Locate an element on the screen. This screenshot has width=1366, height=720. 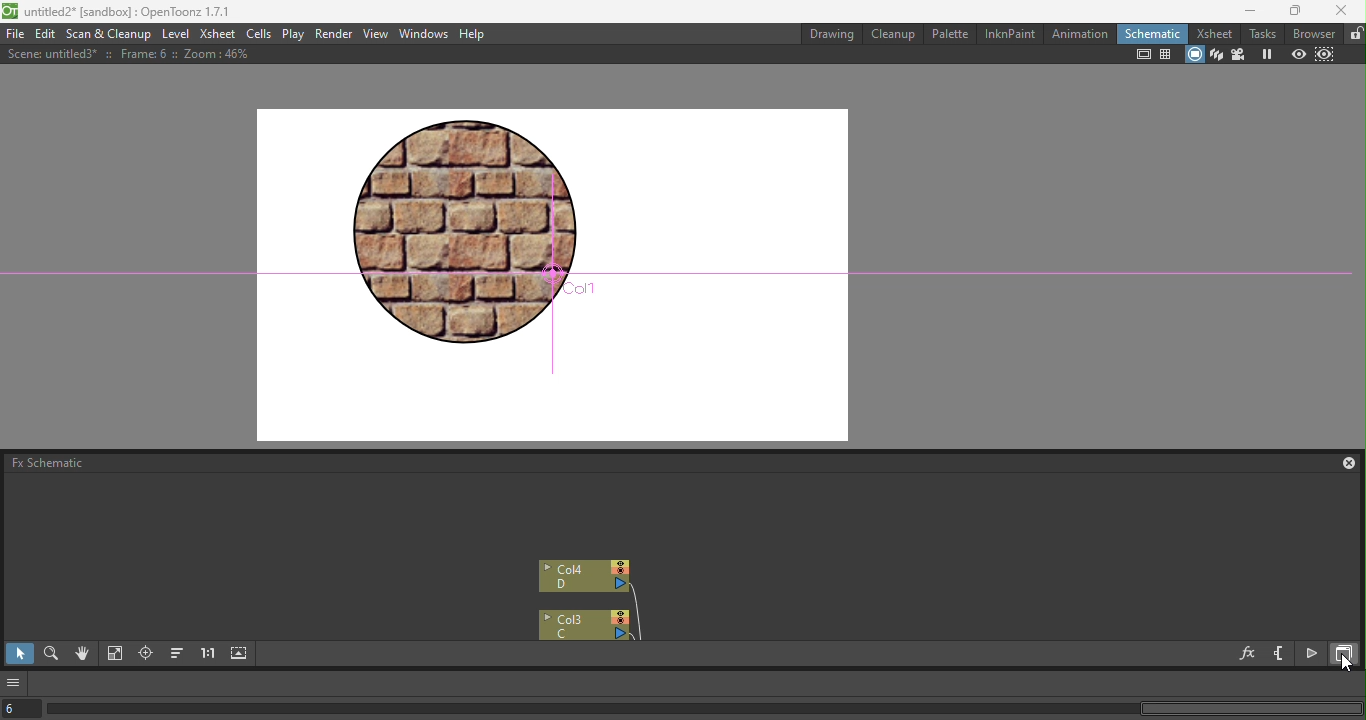
Hand mode is located at coordinates (82, 656).